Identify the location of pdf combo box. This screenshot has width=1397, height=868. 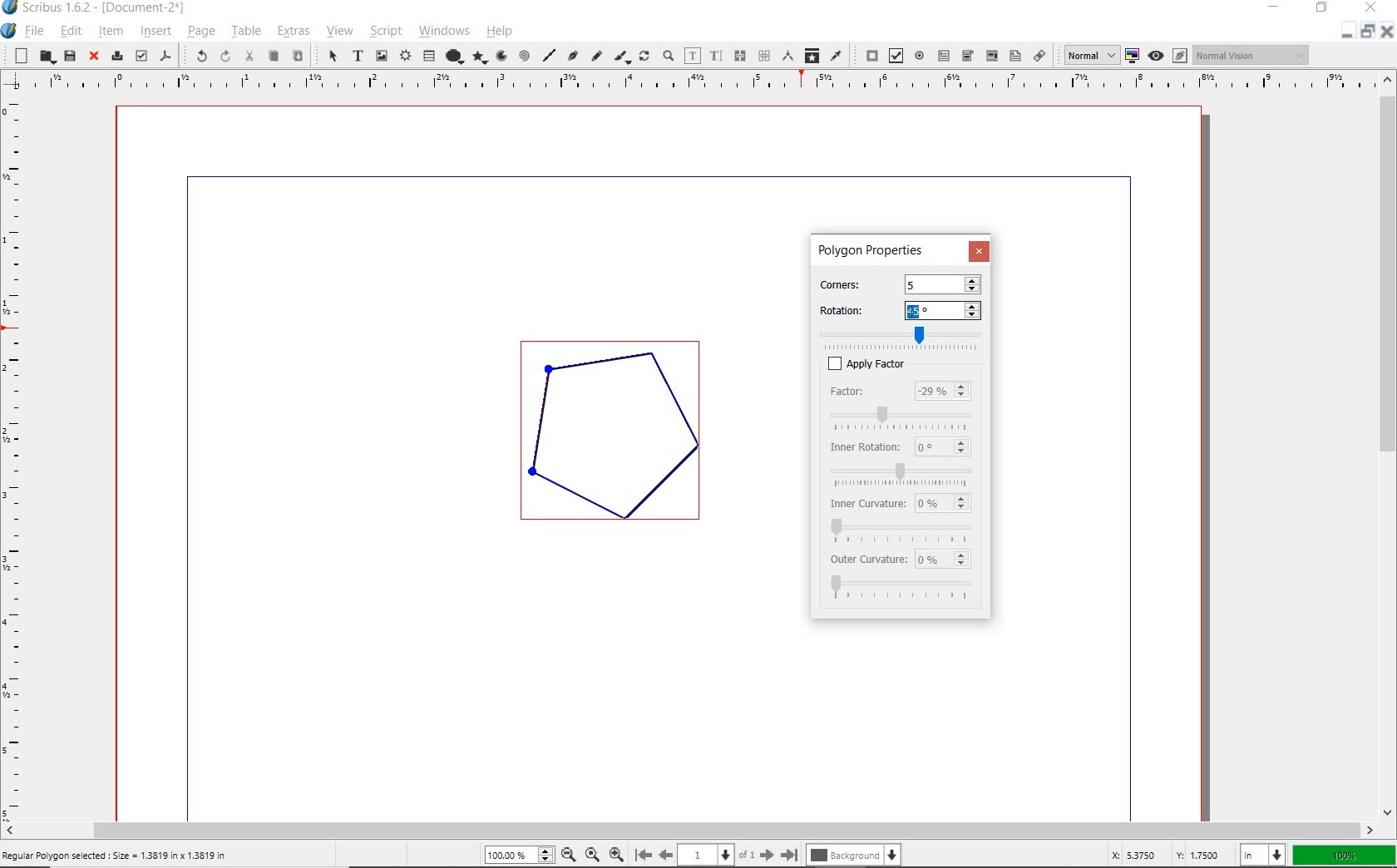
(967, 56).